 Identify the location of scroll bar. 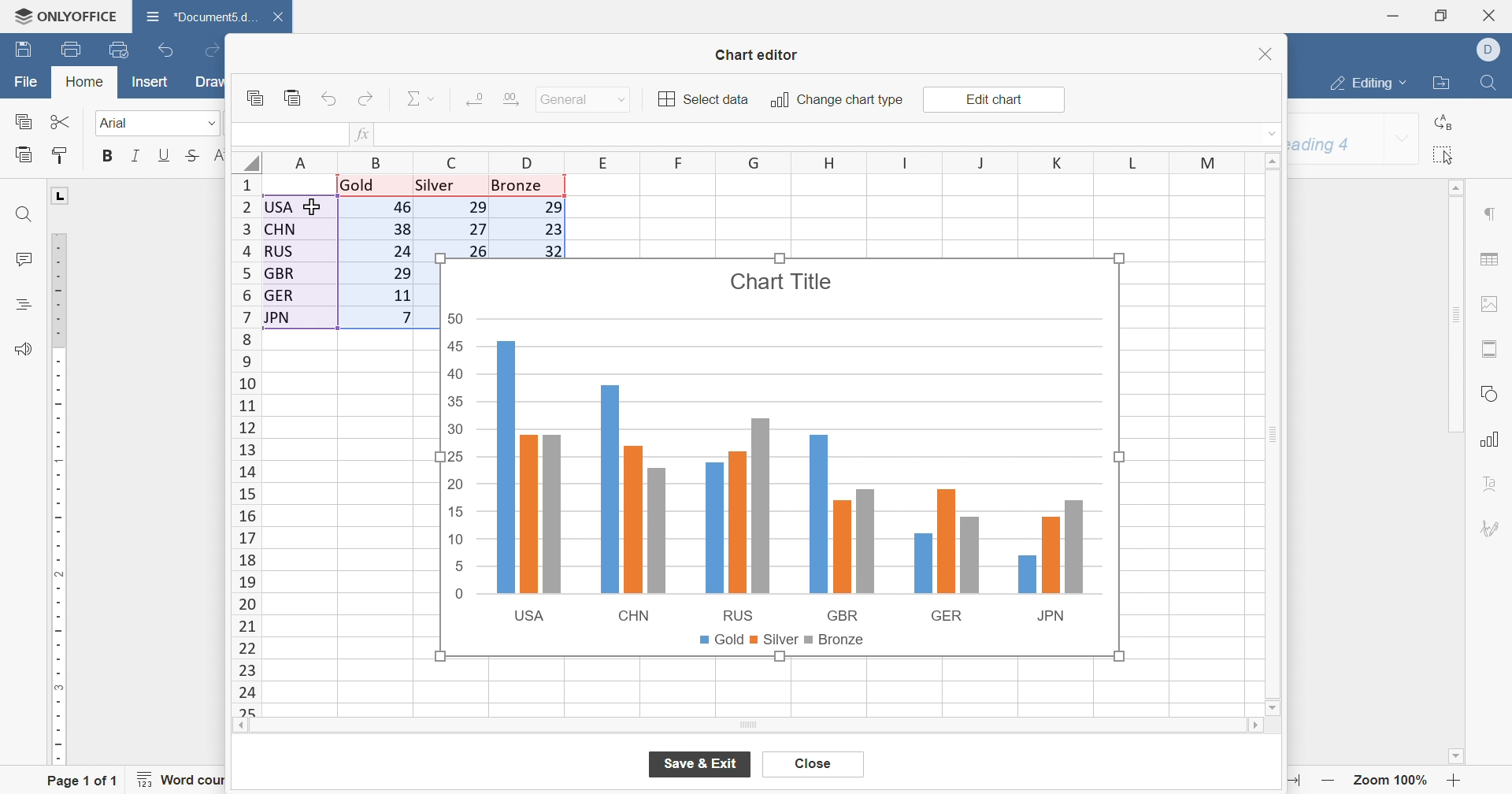
(1455, 307).